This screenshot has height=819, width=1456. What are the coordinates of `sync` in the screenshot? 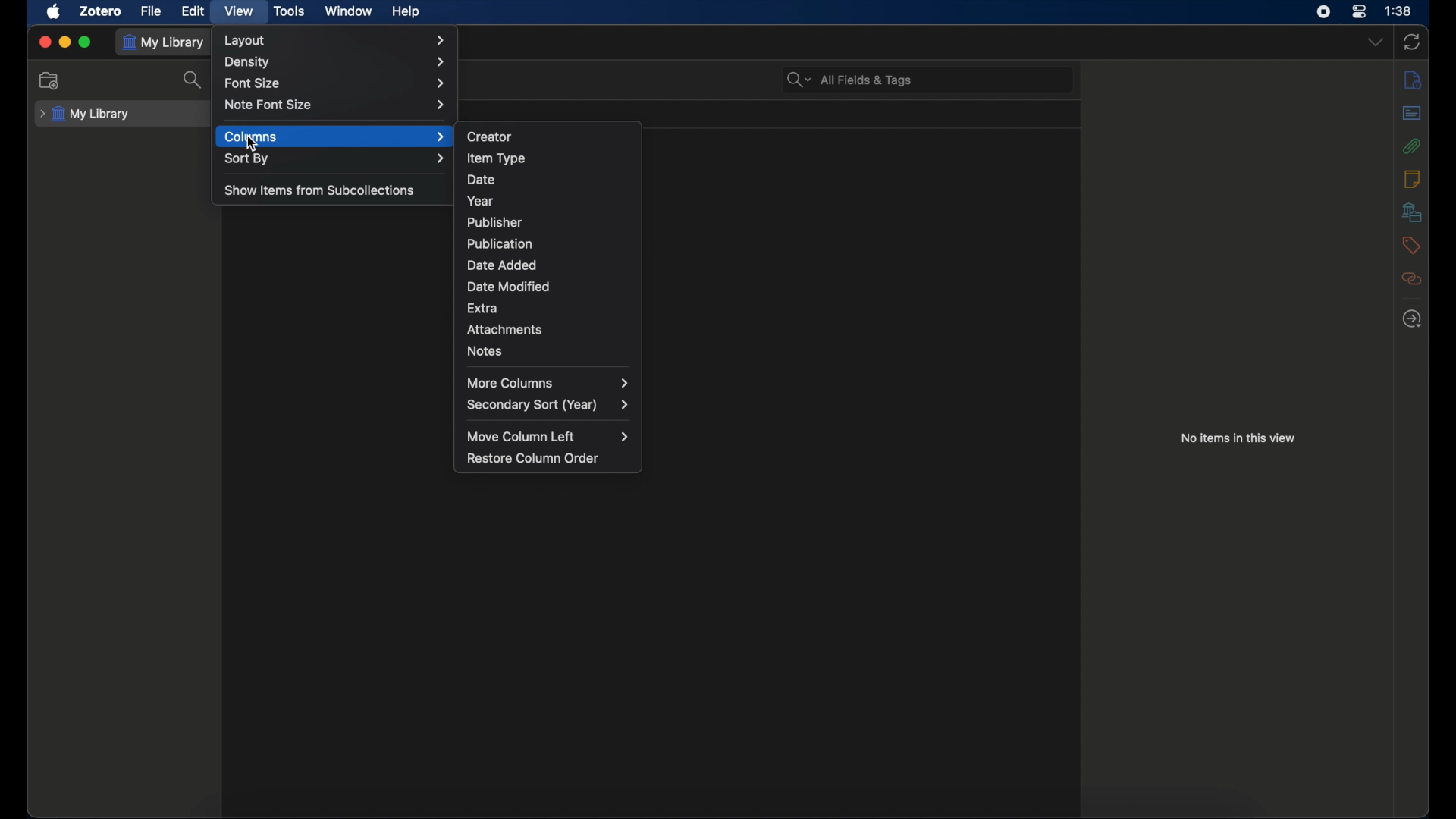 It's located at (1411, 42).